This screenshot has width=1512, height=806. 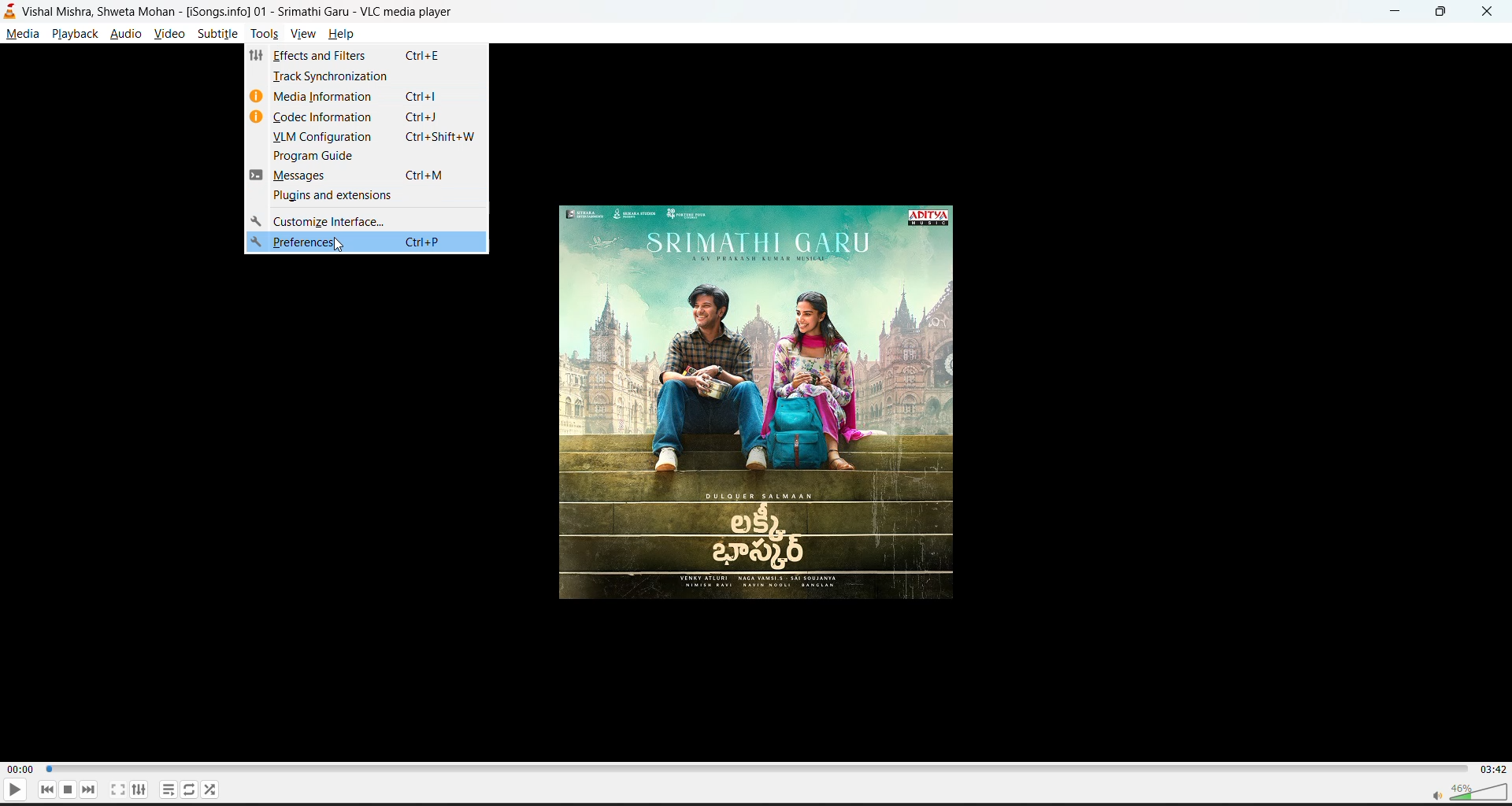 What do you see at coordinates (165, 788) in the screenshot?
I see `playlist` at bounding box center [165, 788].